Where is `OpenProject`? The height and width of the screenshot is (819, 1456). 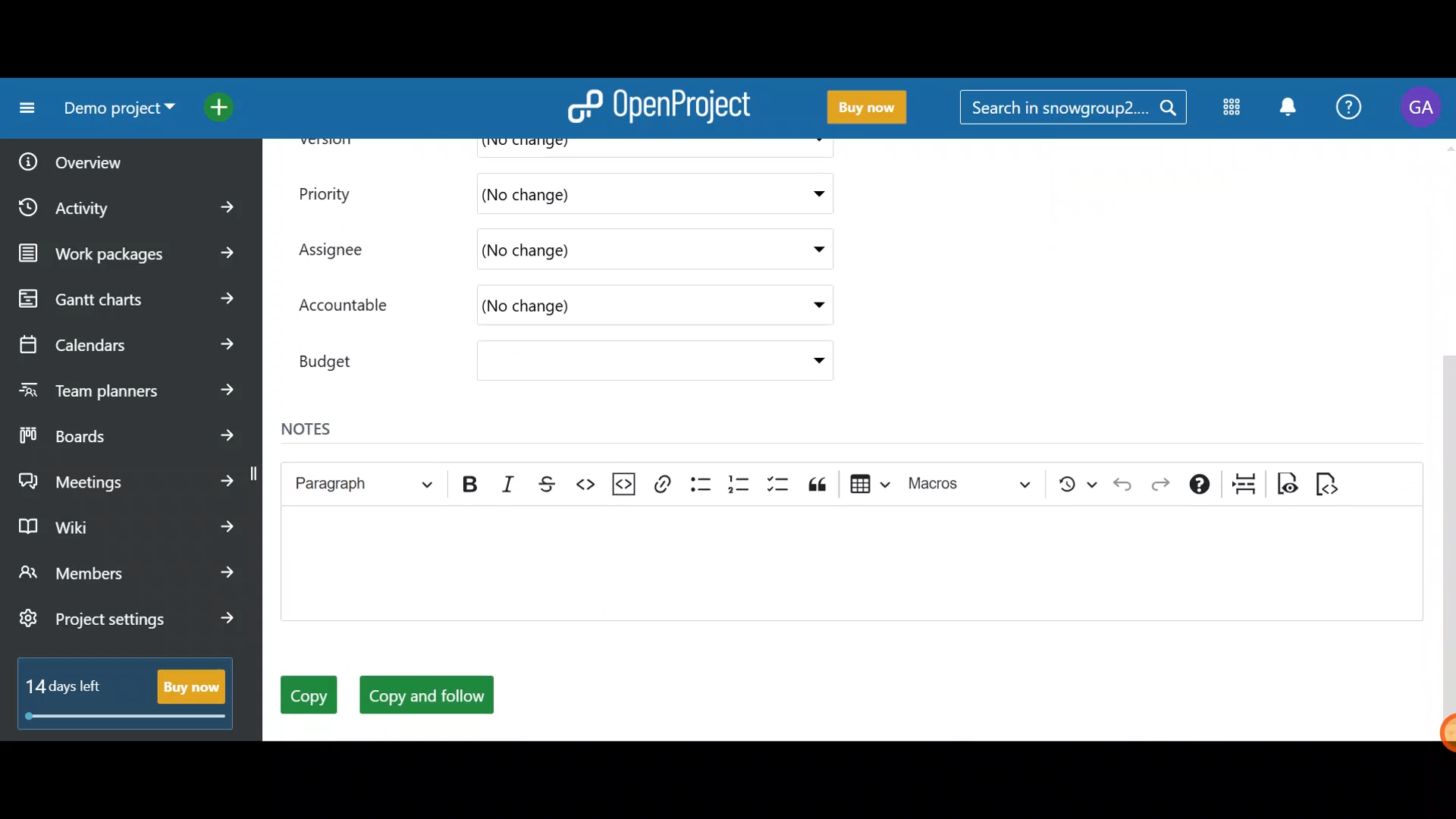 OpenProject is located at coordinates (656, 103).